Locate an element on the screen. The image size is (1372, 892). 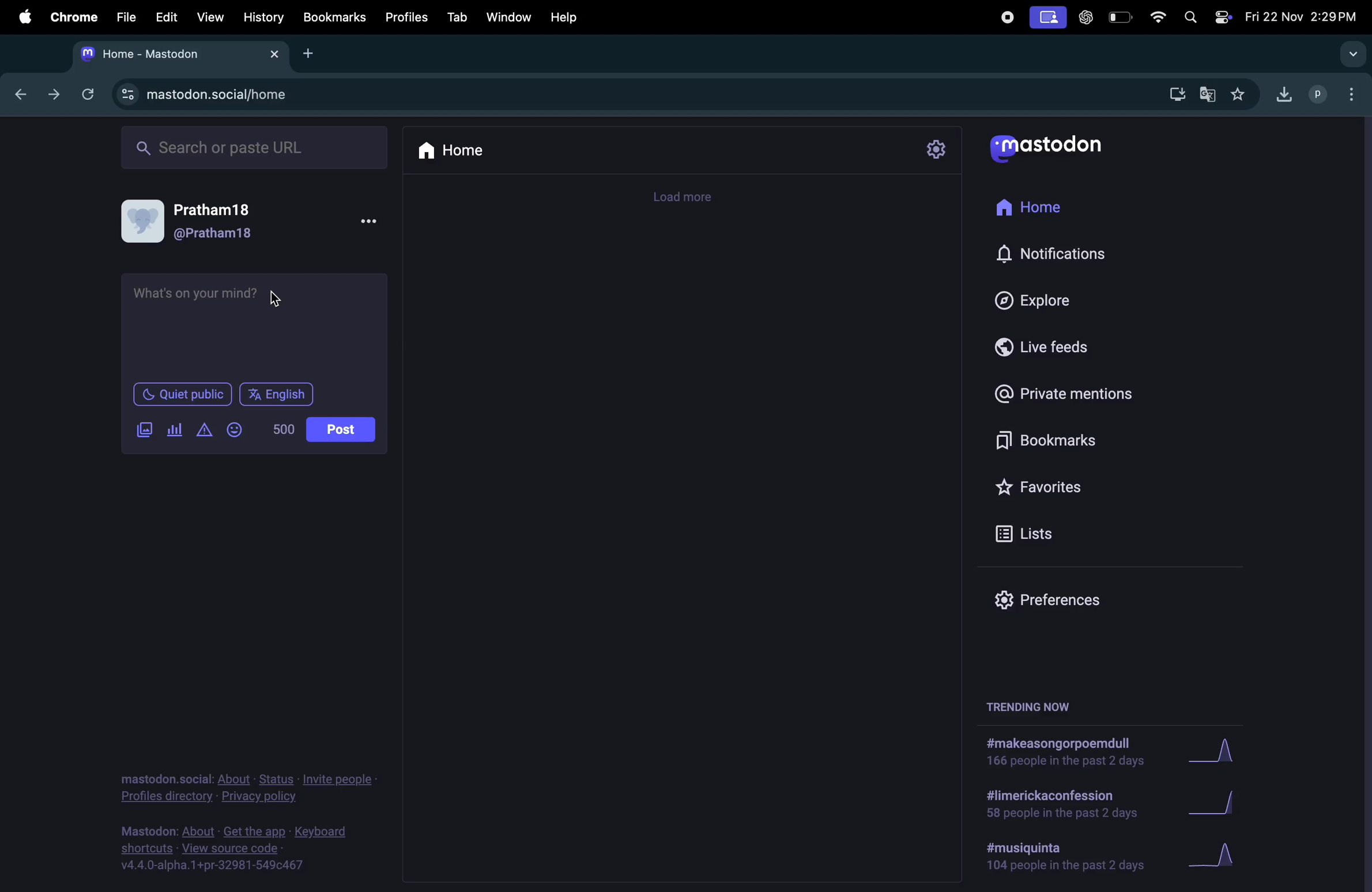
home is located at coordinates (1048, 205).